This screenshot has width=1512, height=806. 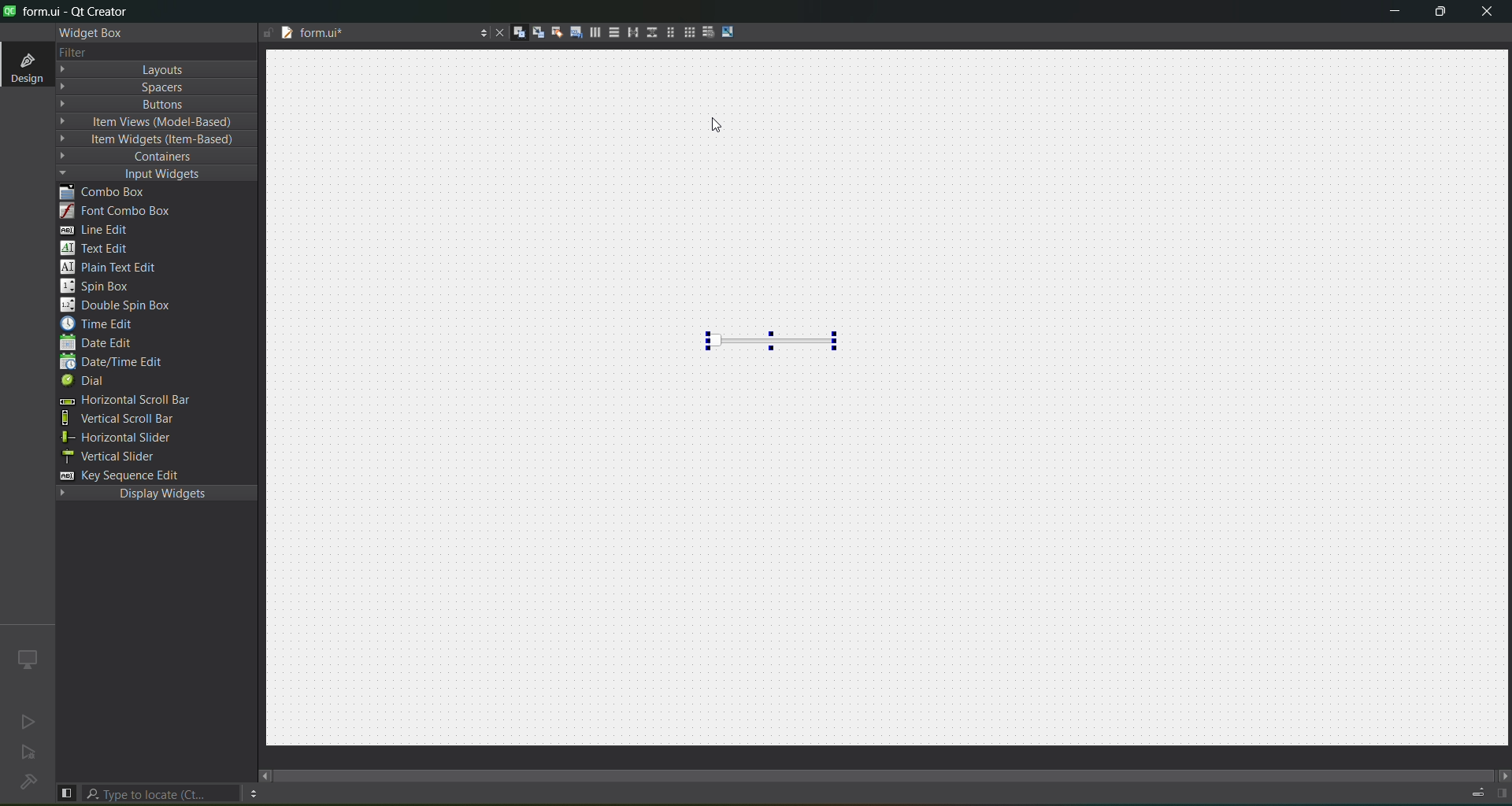 What do you see at coordinates (161, 794) in the screenshot?
I see `search` at bounding box center [161, 794].